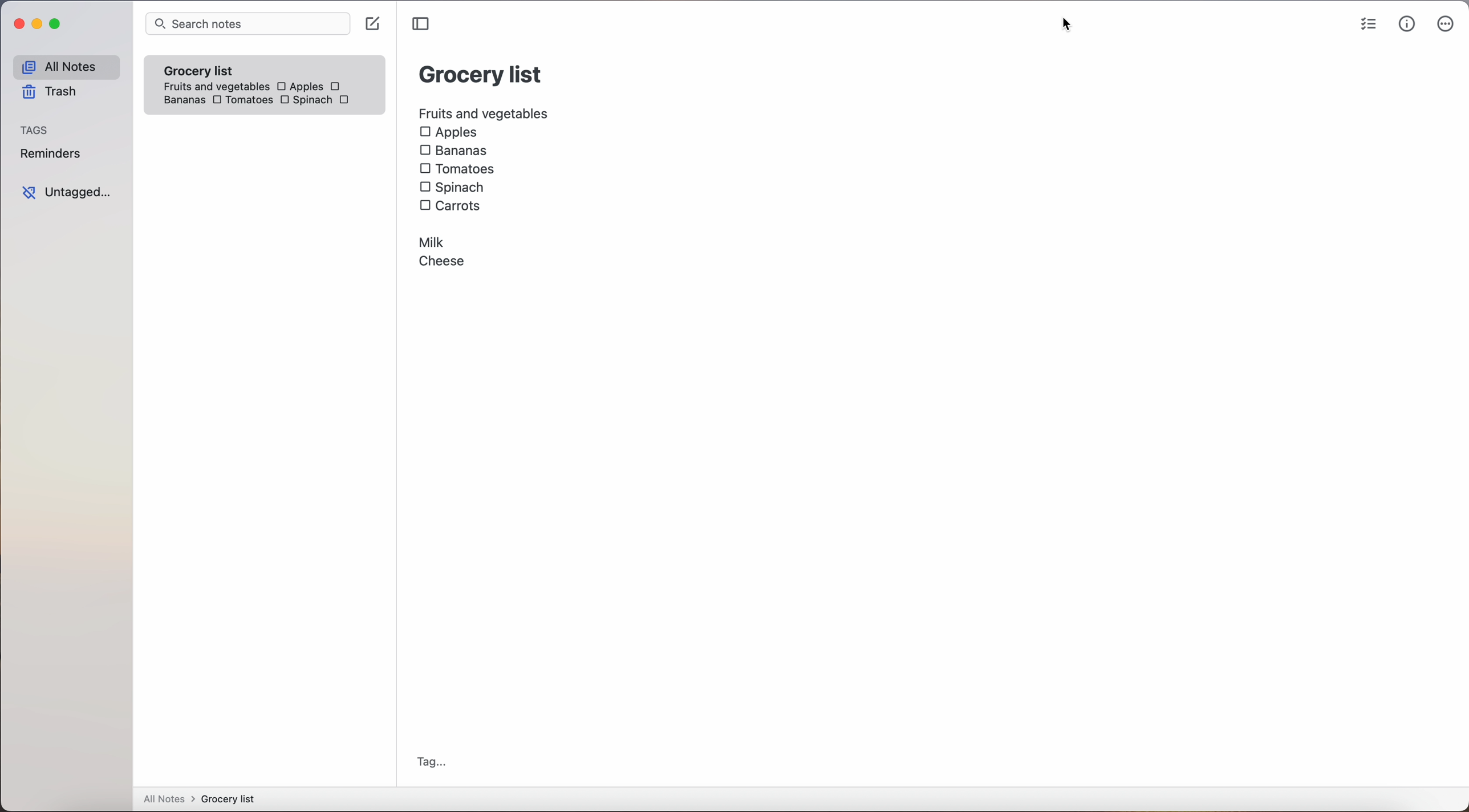 Image resolution: width=1469 pixels, height=812 pixels. I want to click on all notes, so click(198, 799).